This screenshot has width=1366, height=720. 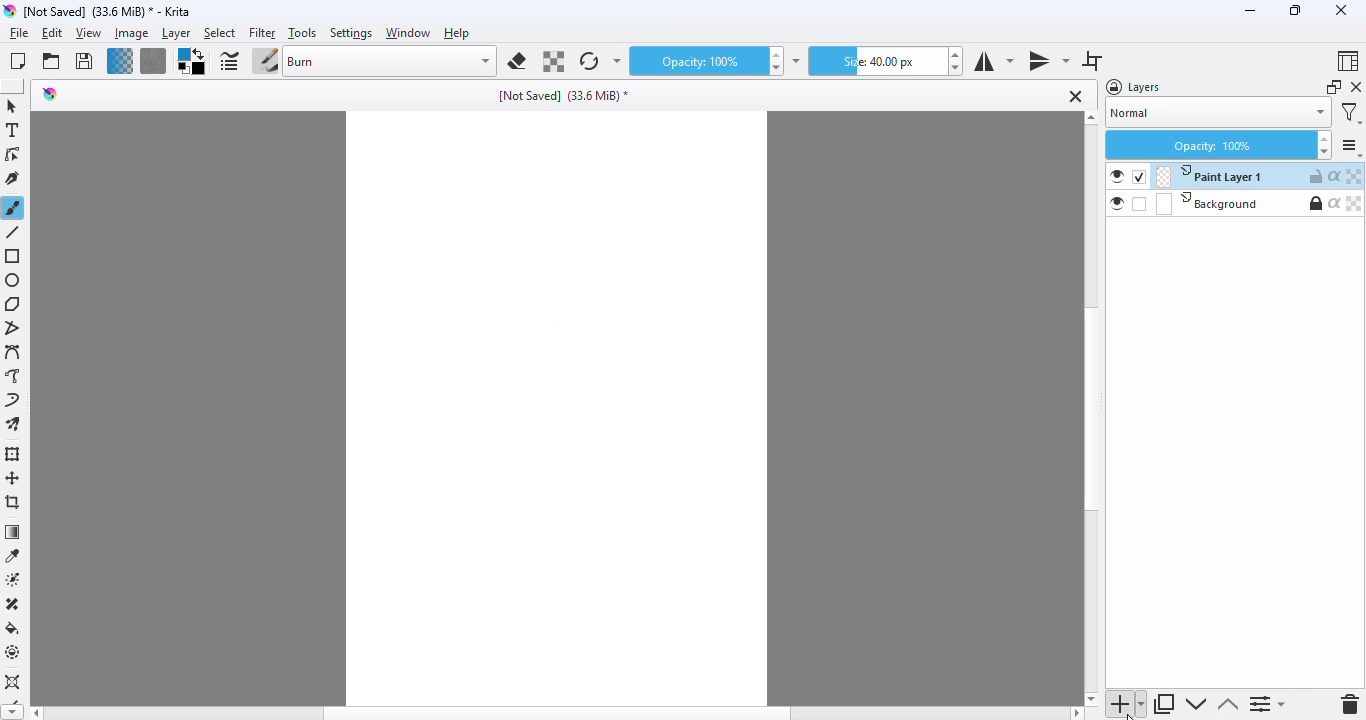 I want to click on choose workspace, so click(x=1346, y=61).